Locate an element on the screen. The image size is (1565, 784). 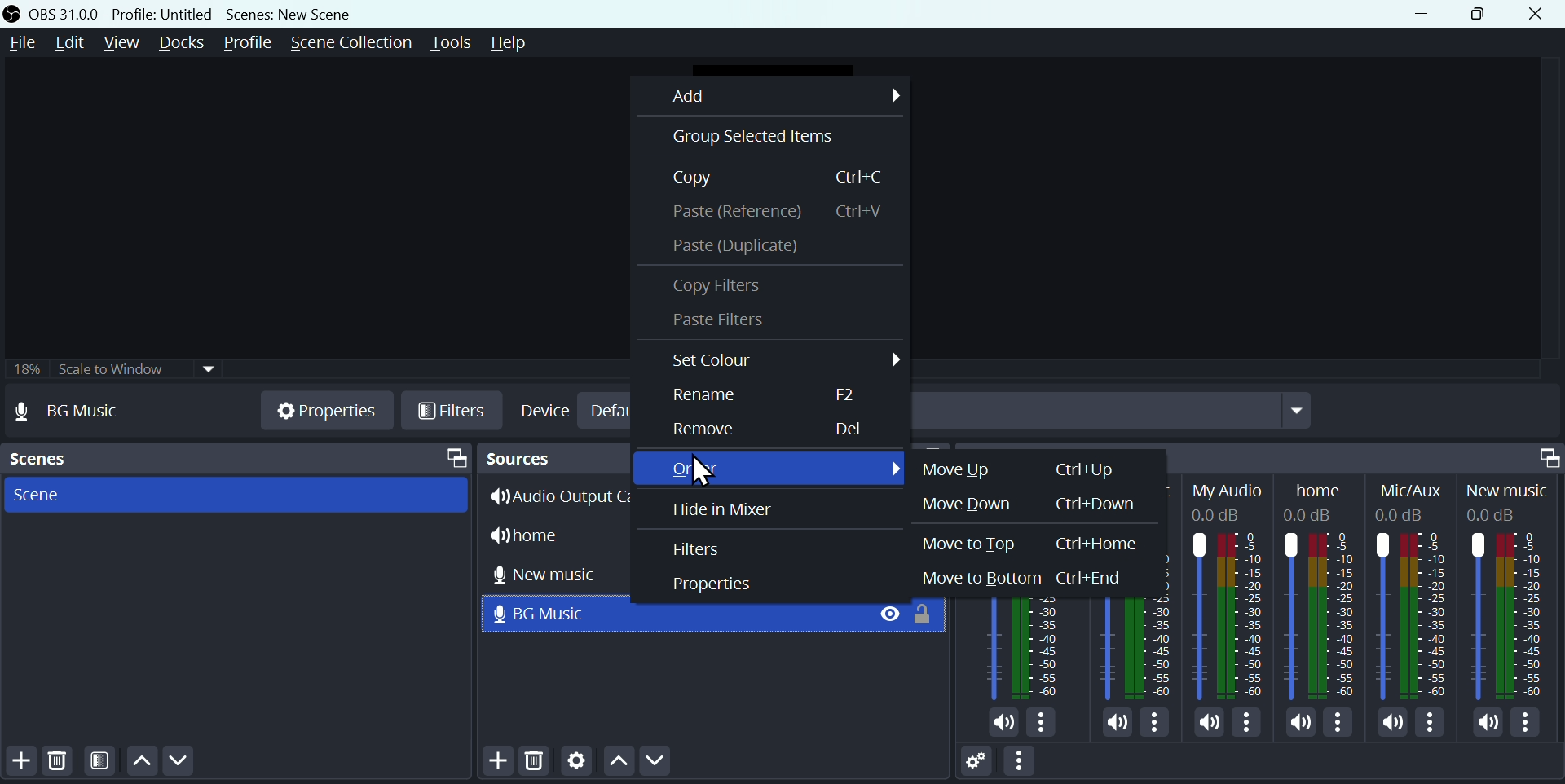
Properties is located at coordinates (328, 409).